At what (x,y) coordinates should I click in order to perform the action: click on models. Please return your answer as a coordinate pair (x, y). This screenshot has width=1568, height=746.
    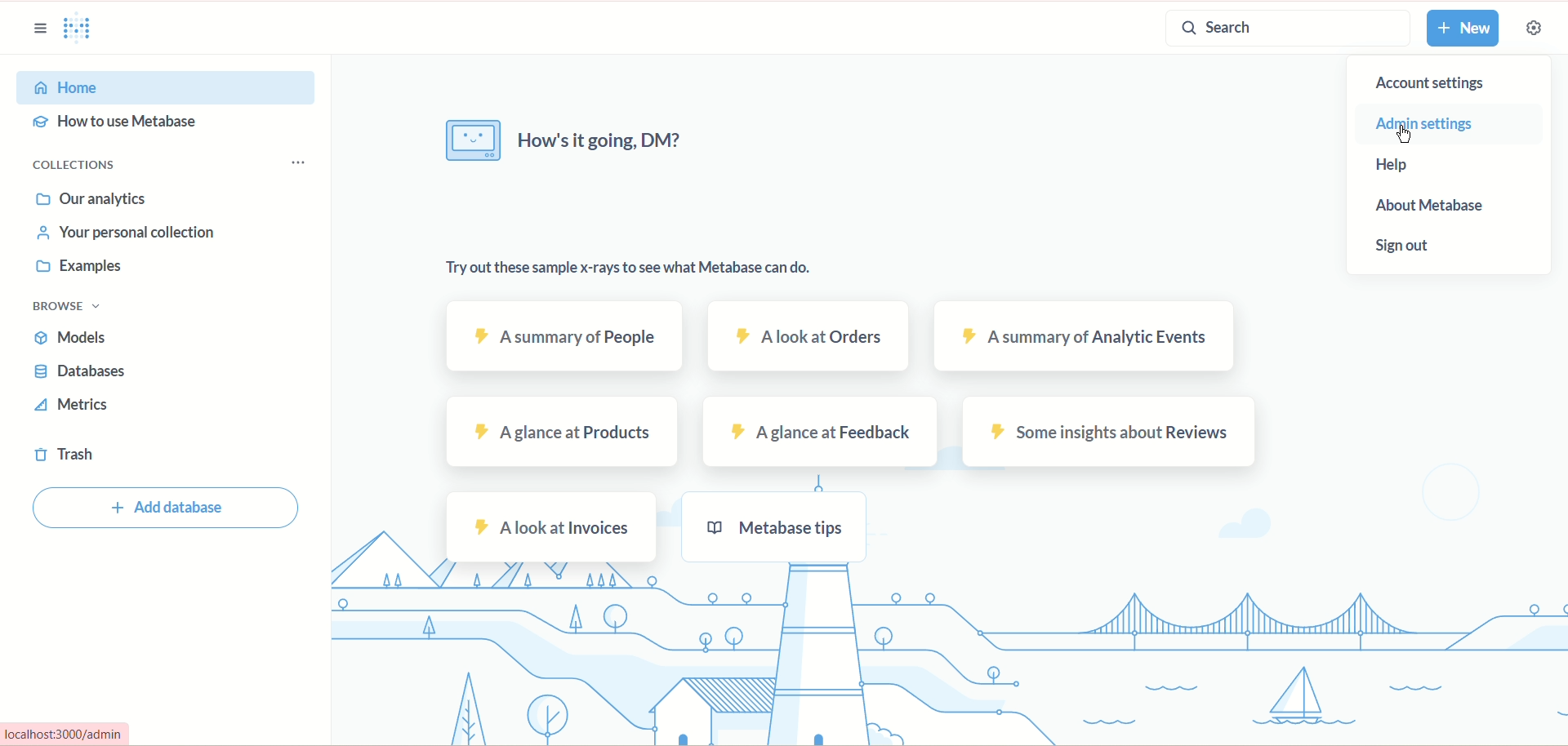
    Looking at the image, I should click on (73, 337).